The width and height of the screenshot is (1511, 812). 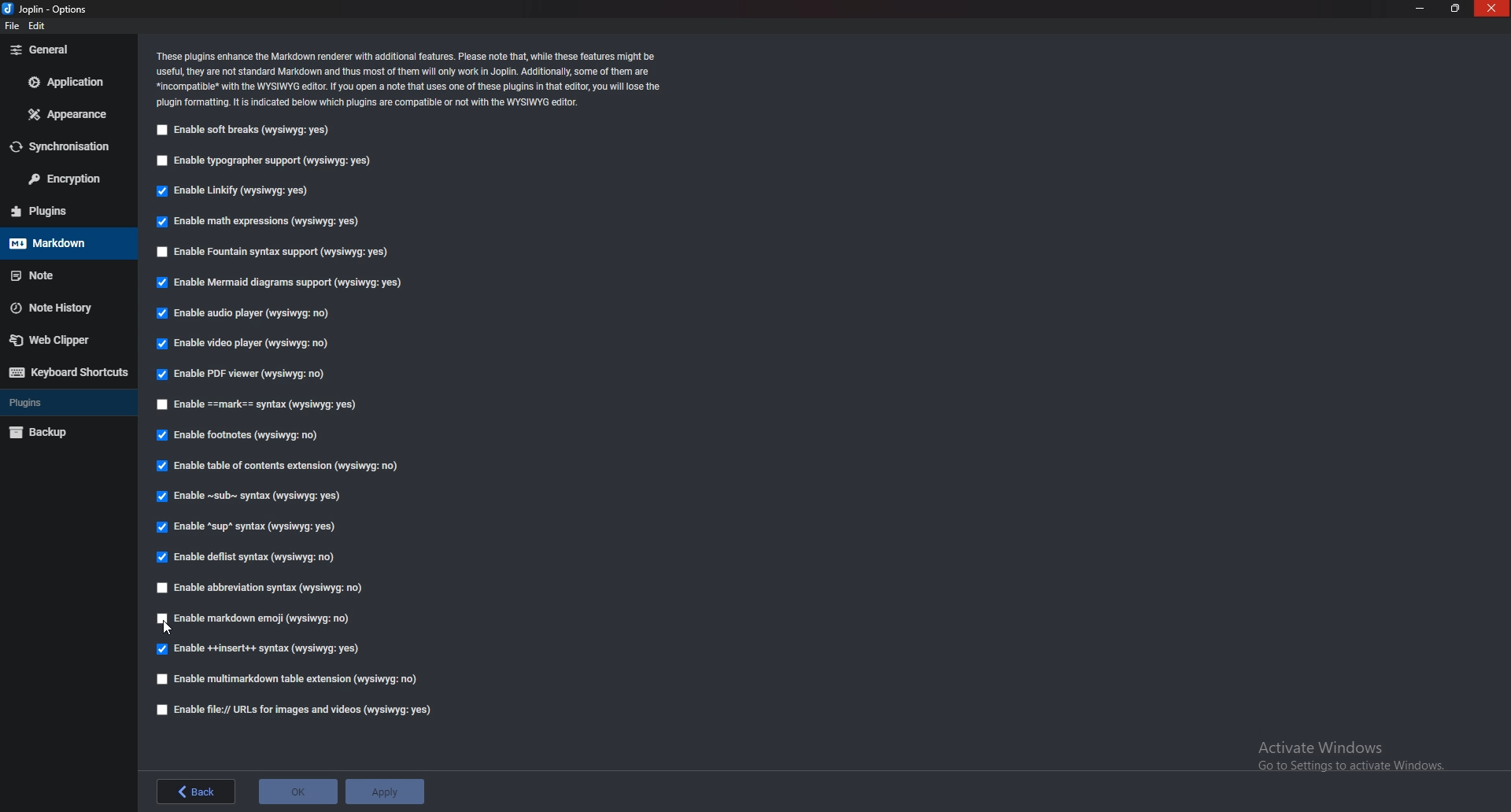 I want to click on cursor, so click(x=170, y=627).